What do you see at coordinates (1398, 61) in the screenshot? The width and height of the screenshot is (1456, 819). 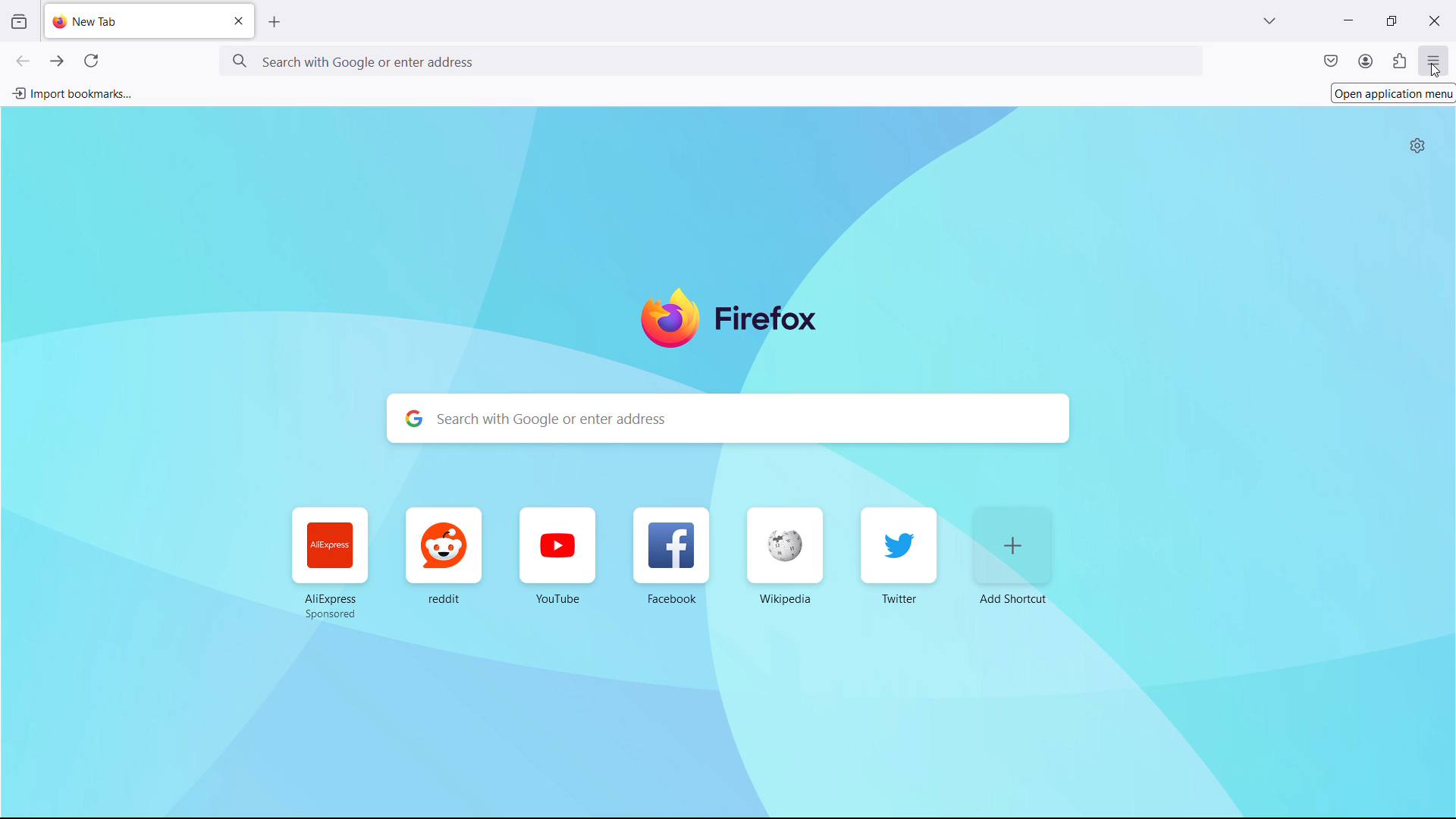 I see `extensions` at bounding box center [1398, 61].